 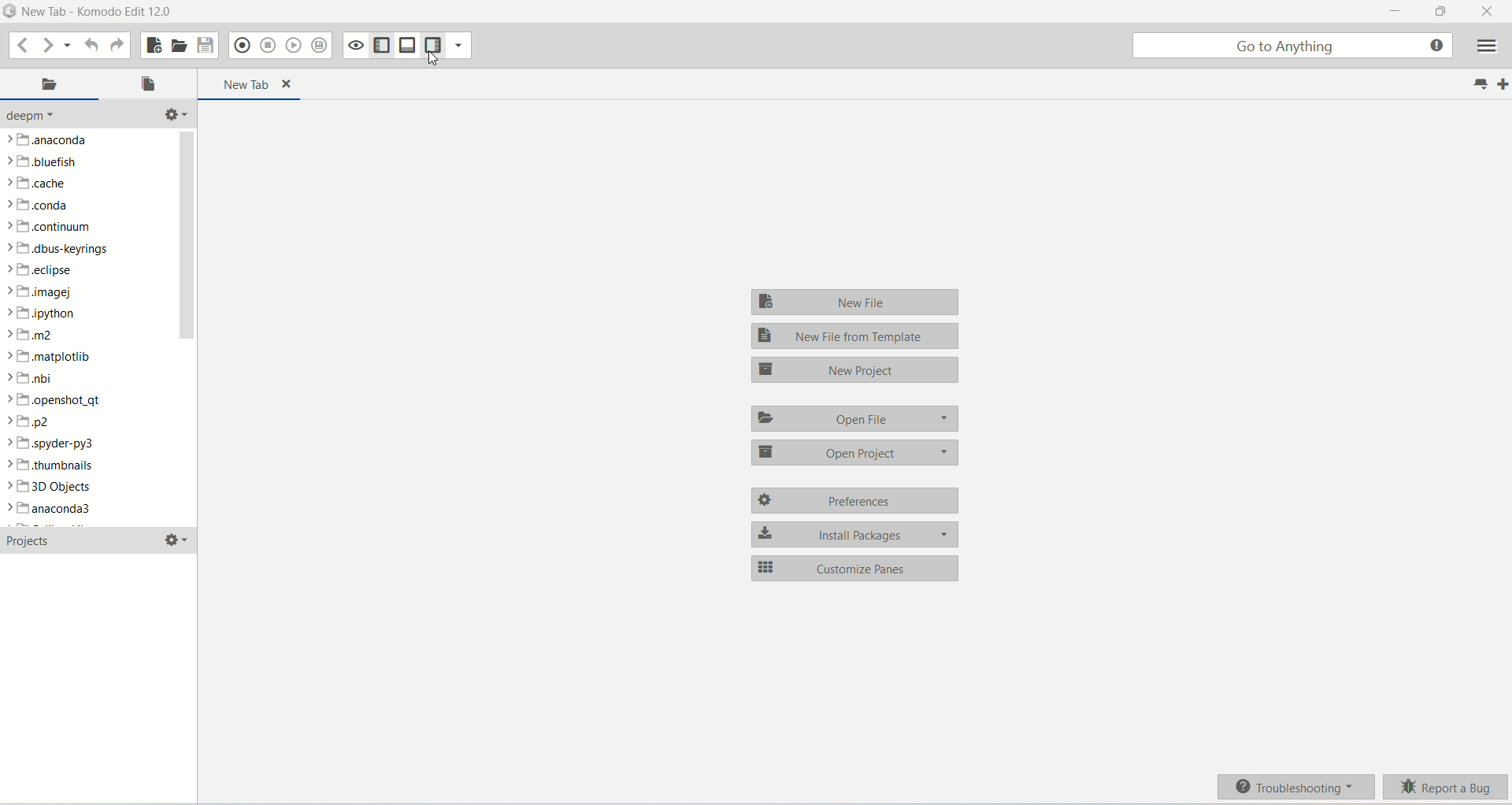 What do you see at coordinates (178, 45) in the screenshot?
I see `open file` at bounding box center [178, 45].